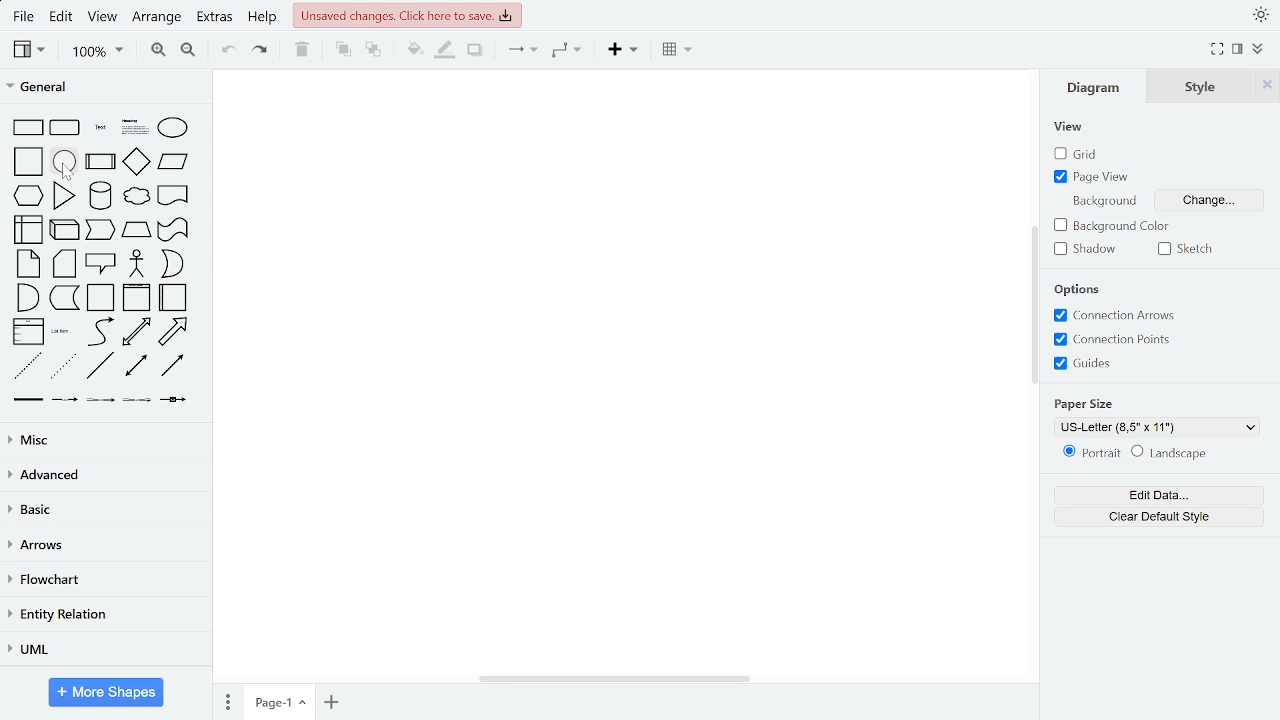 The height and width of the screenshot is (720, 1280). What do you see at coordinates (1265, 86) in the screenshot?
I see `close` at bounding box center [1265, 86].